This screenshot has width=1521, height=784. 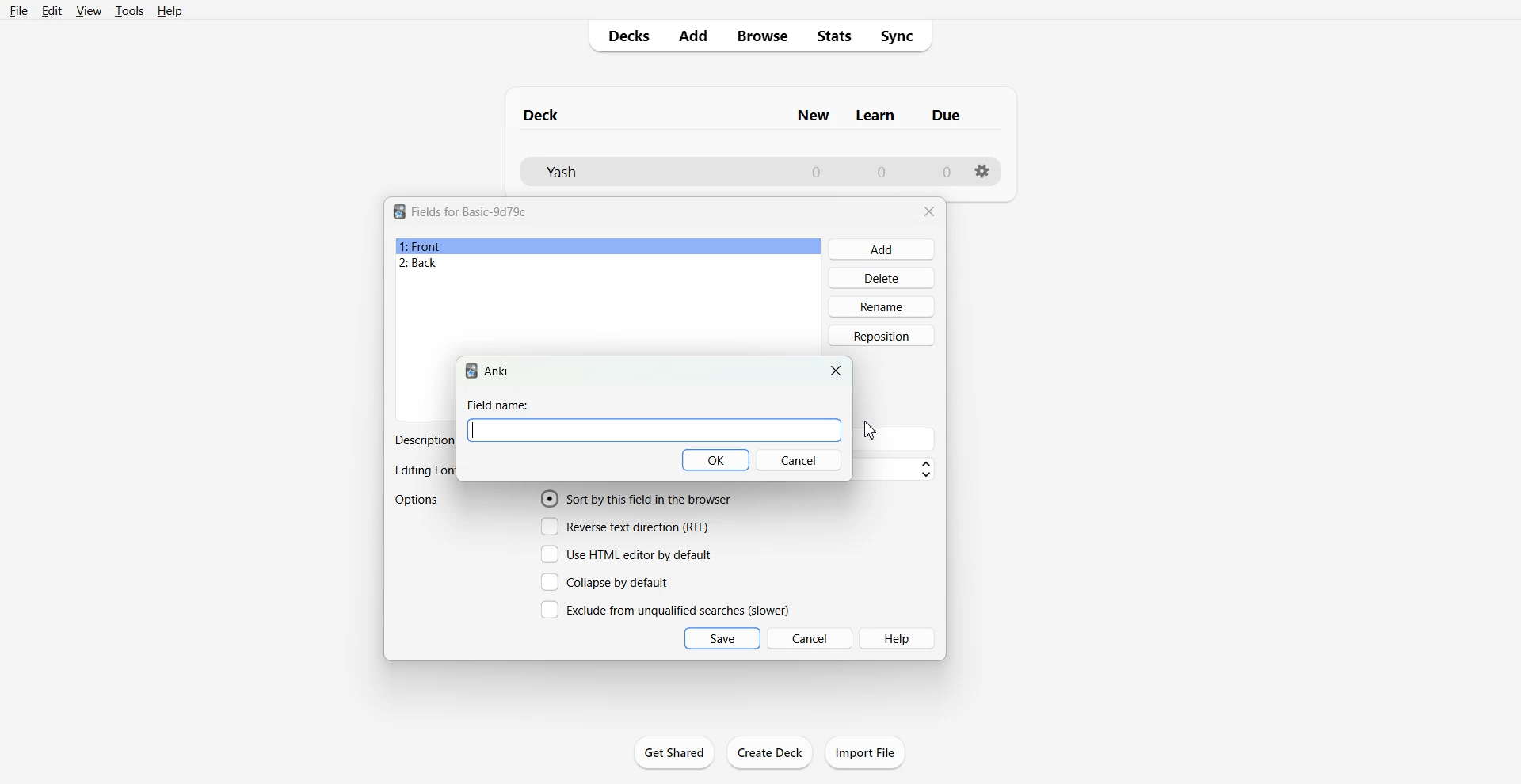 I want to click on Cursor, so click(x=870, y=430).